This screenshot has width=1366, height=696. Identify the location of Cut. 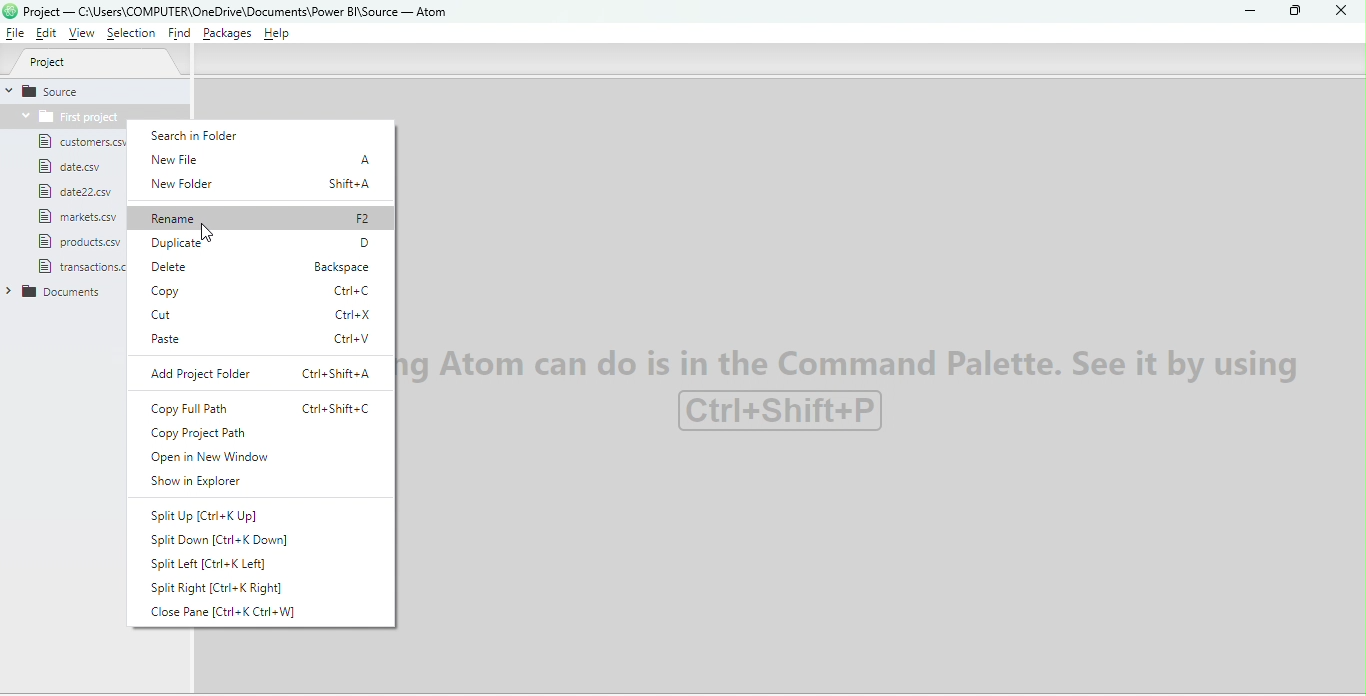
(268, 314).